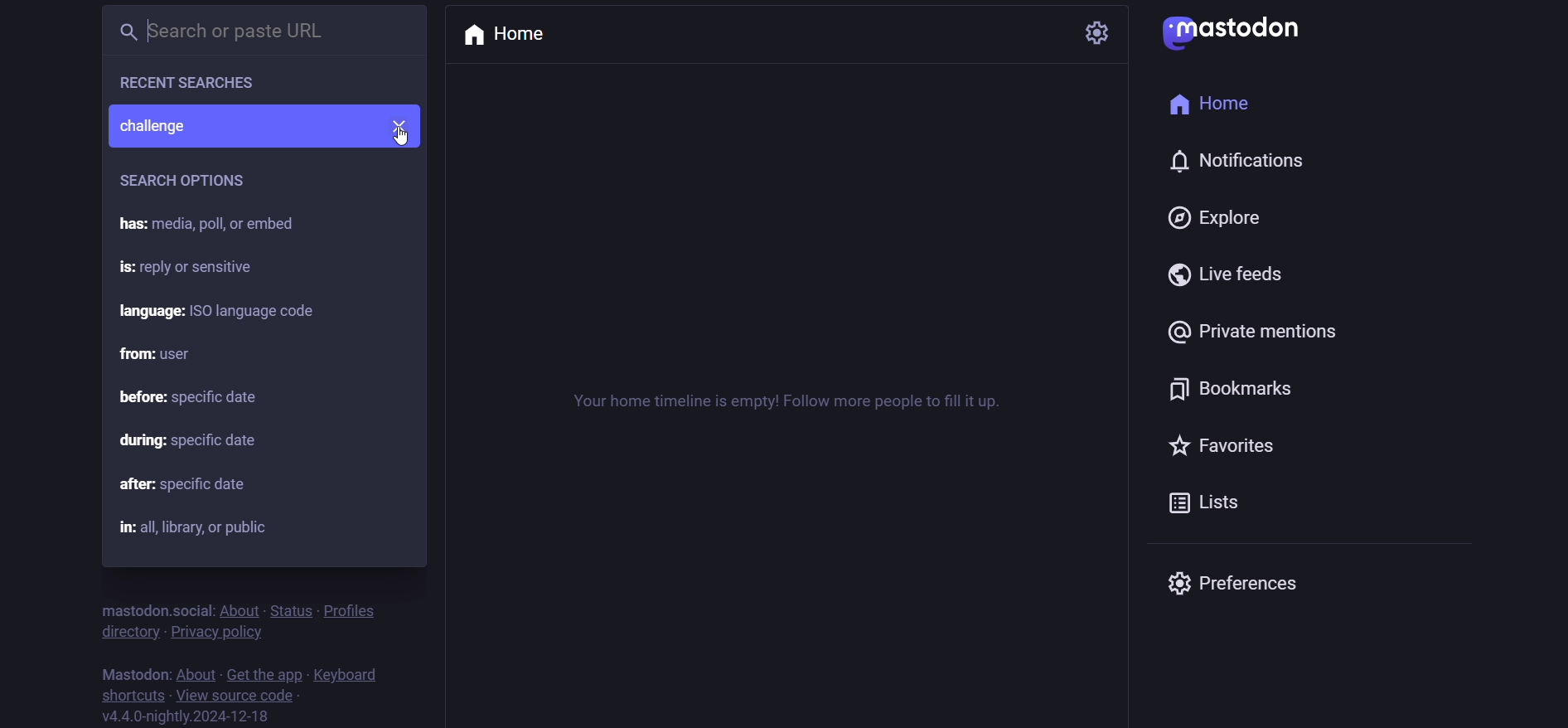 This screenshot has width=1568, height=728. What do you see at coordinates (238, 694) in the screenshot?
I see `source code` at bounding box center [238, 694].